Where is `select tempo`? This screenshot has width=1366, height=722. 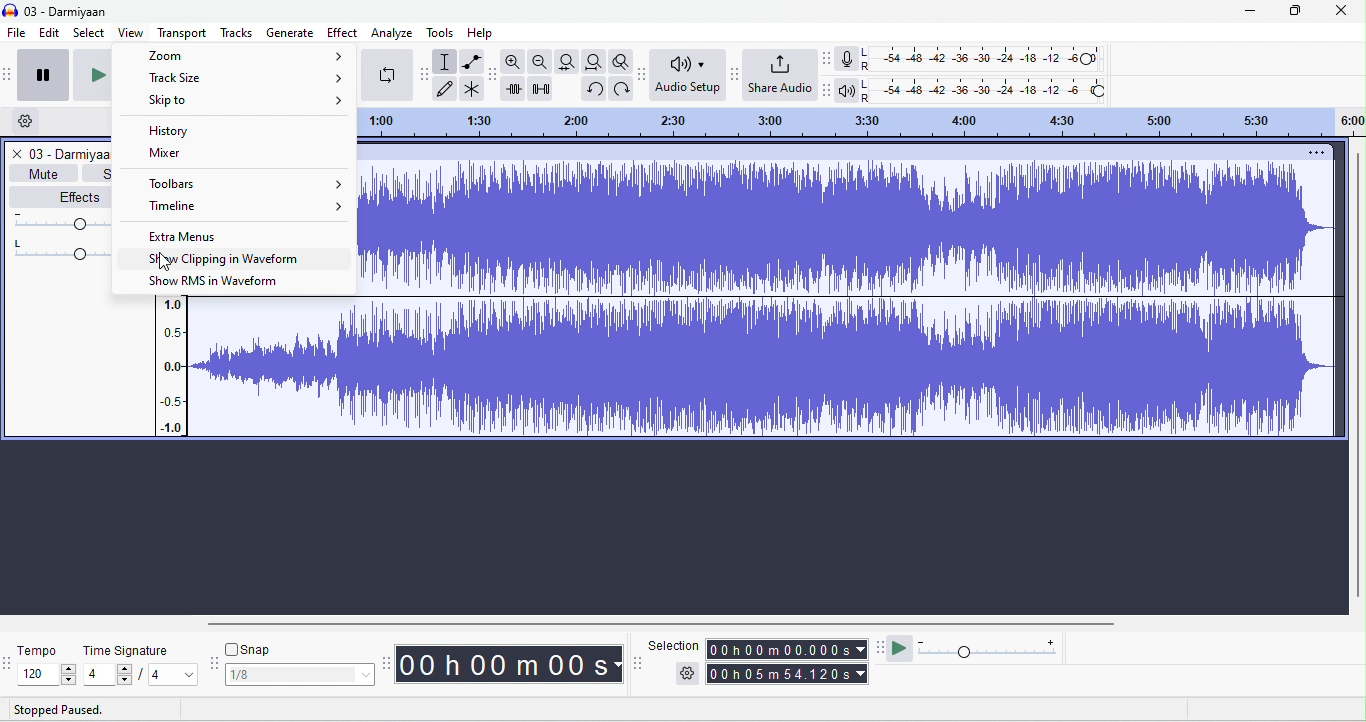 select tempo is located at coordinates (50, 675).